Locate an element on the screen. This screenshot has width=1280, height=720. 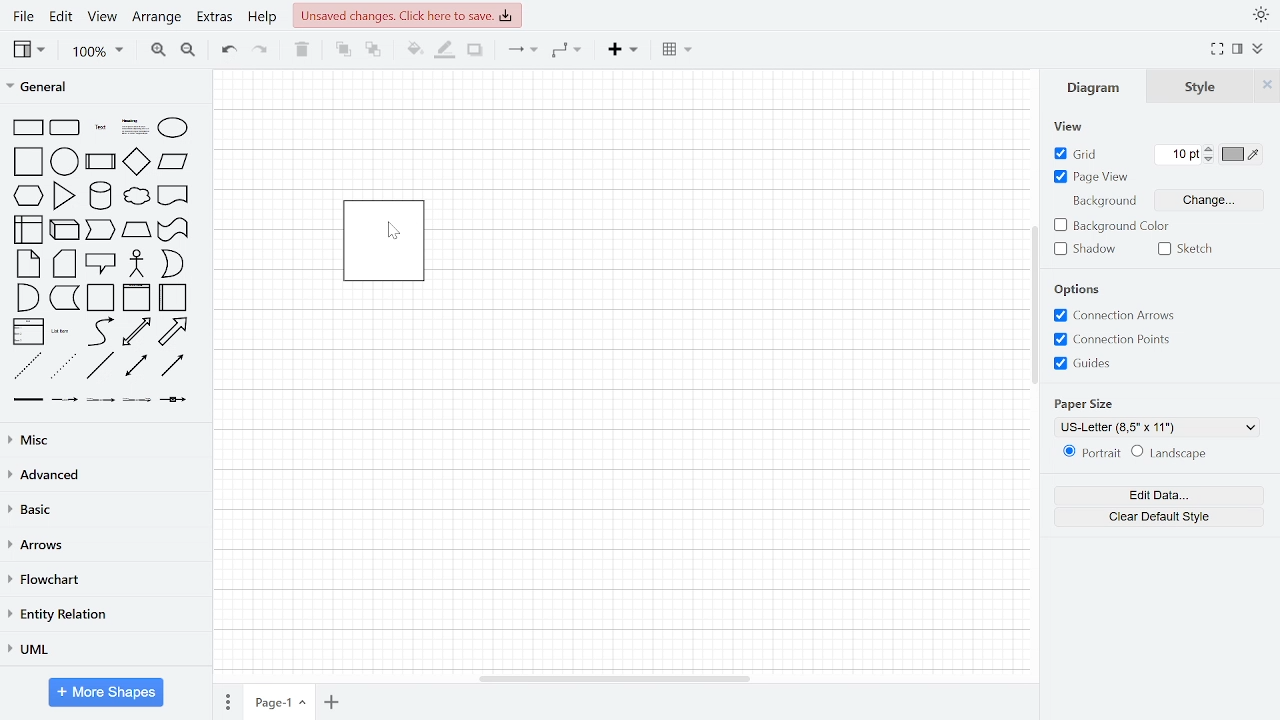
edit data is located at coordinates (1160, 495).